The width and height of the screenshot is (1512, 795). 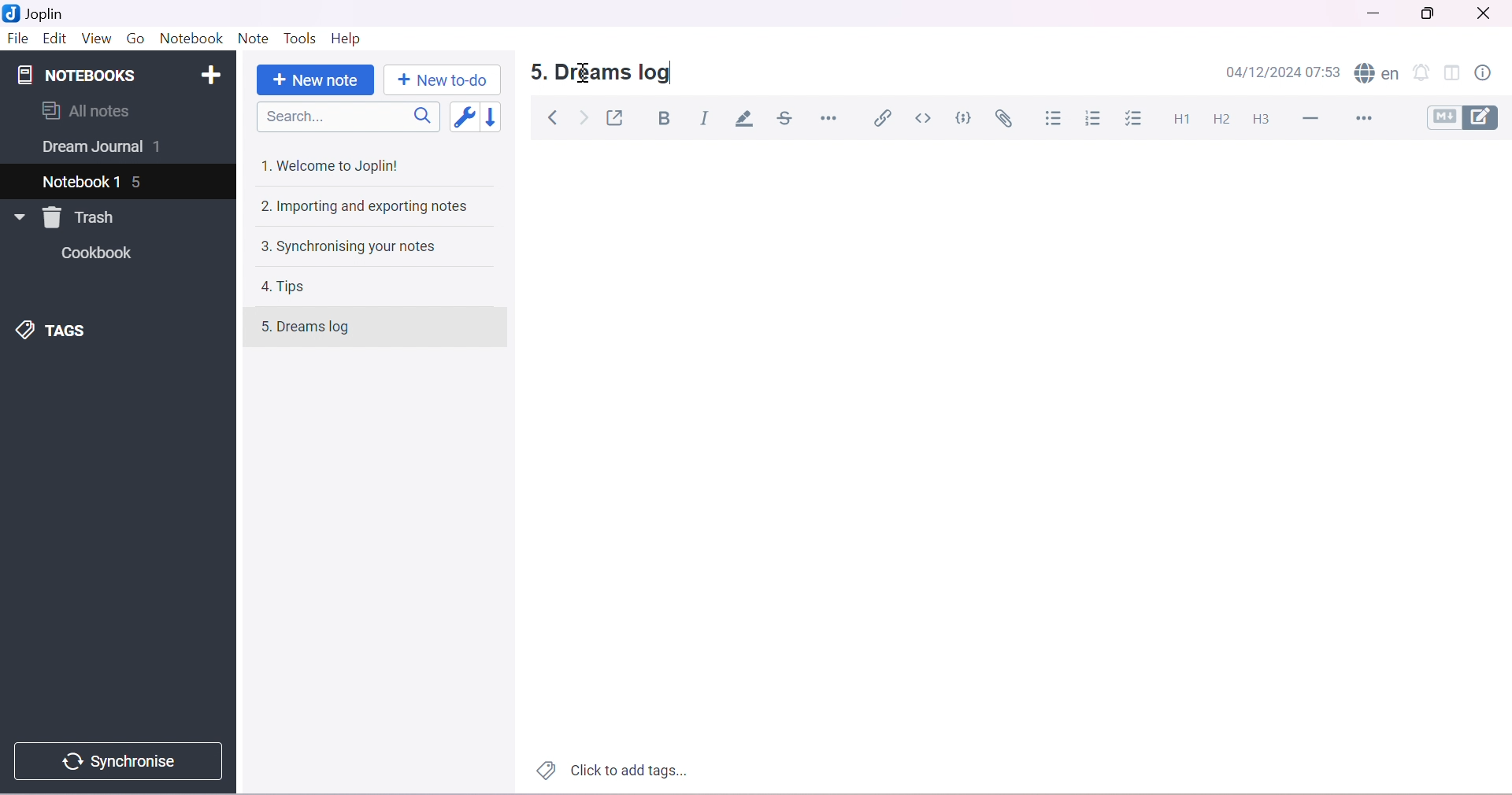 What do you see at coordinates (441, 80) in the screenshot?
I see `New to-do` at bounding box center [441, 80].